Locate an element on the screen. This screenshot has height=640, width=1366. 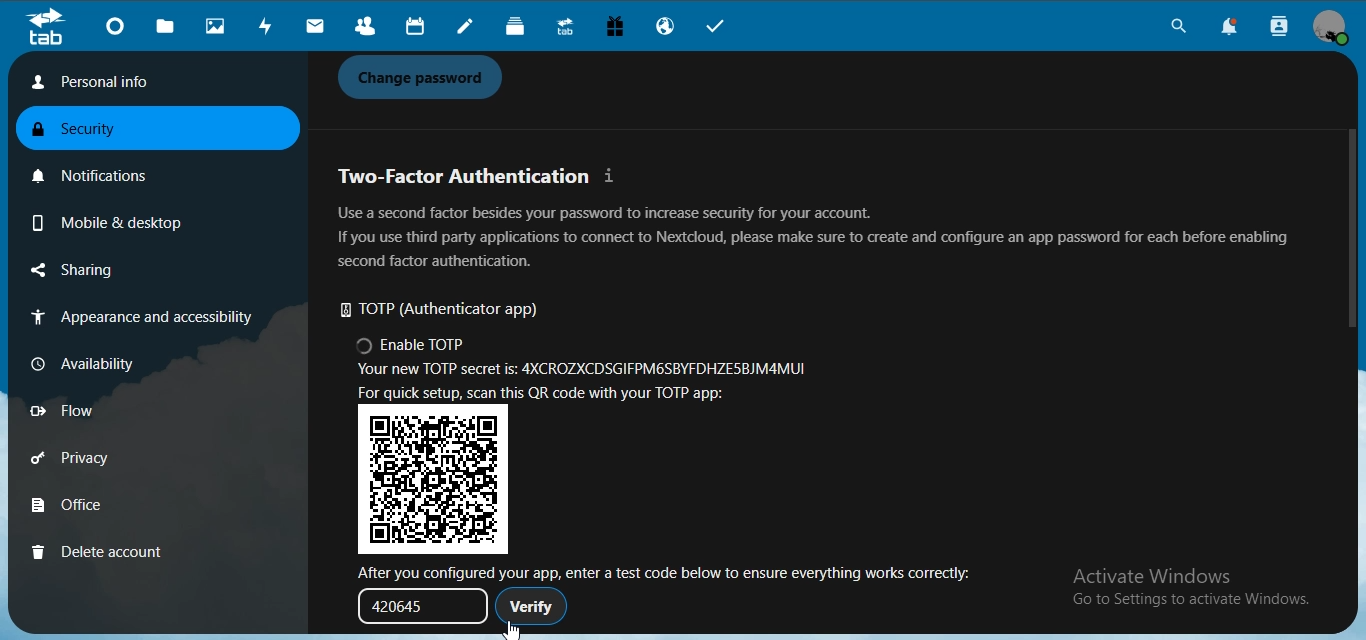
After you configured your app, enter a test code below to ensure everything works correctly: is located at coordinates (672, 571).